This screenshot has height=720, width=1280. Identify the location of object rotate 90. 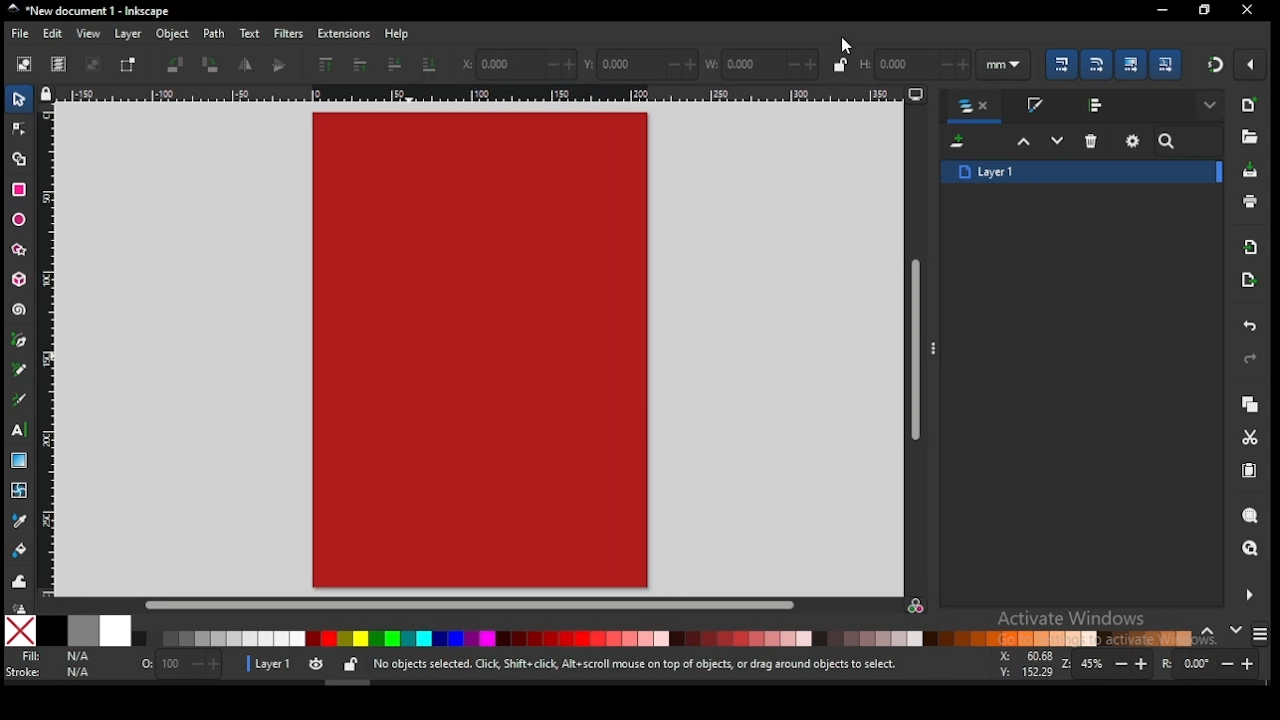
(212, 65).